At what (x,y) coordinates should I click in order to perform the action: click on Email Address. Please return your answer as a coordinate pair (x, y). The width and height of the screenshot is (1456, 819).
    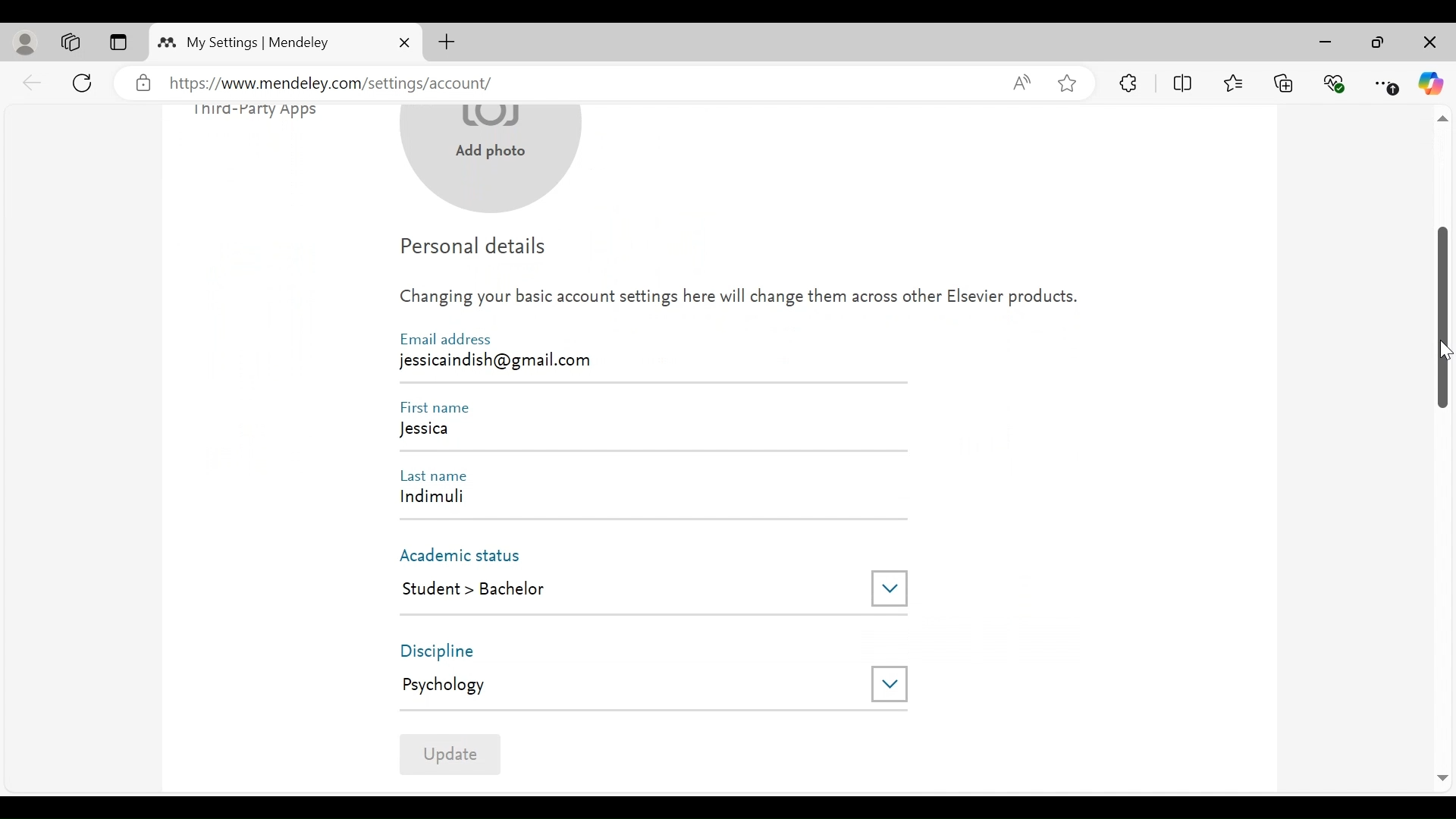
    Looking at the image, I should click on (445, 339).